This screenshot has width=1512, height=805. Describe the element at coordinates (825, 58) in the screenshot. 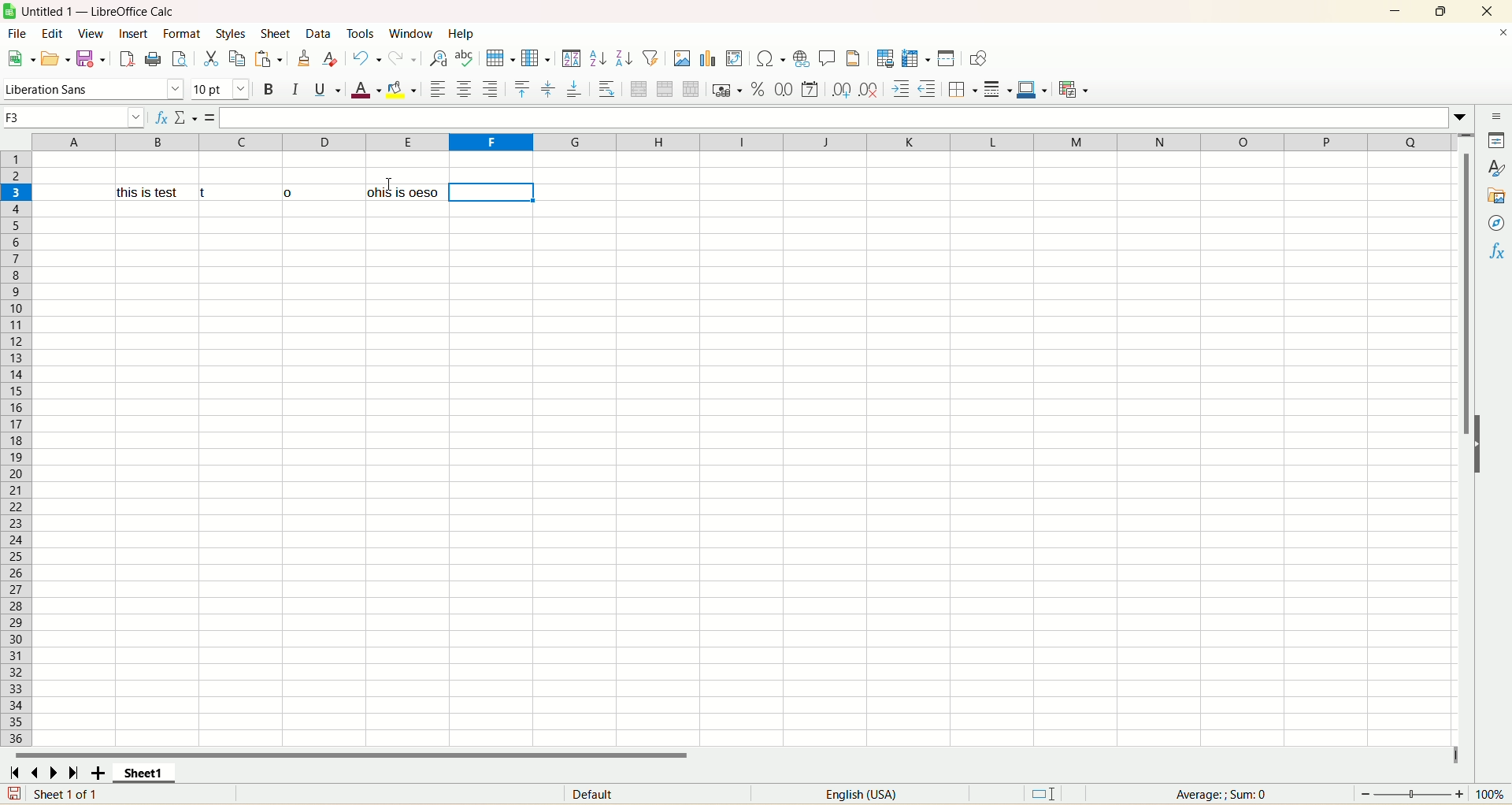

I see `insert comment` at that location.